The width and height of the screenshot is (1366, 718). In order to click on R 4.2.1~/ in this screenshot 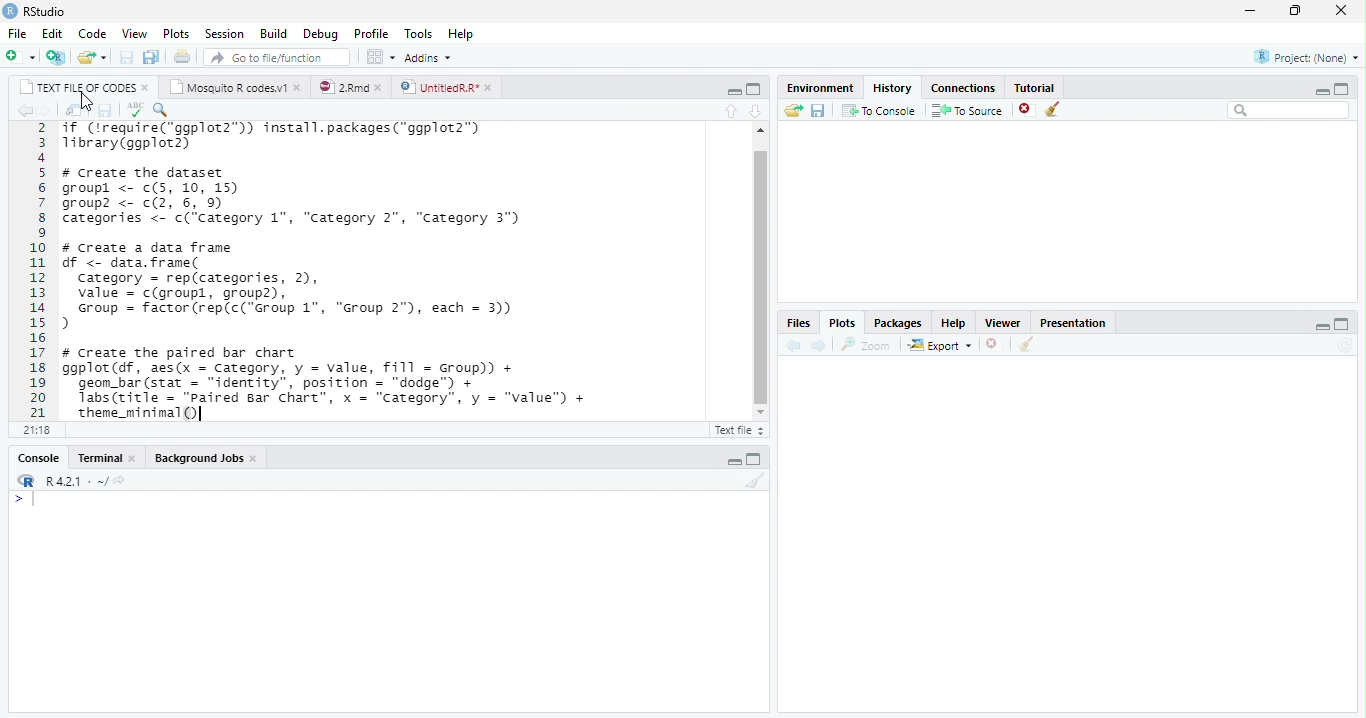, I will do `click(75, 481)`.